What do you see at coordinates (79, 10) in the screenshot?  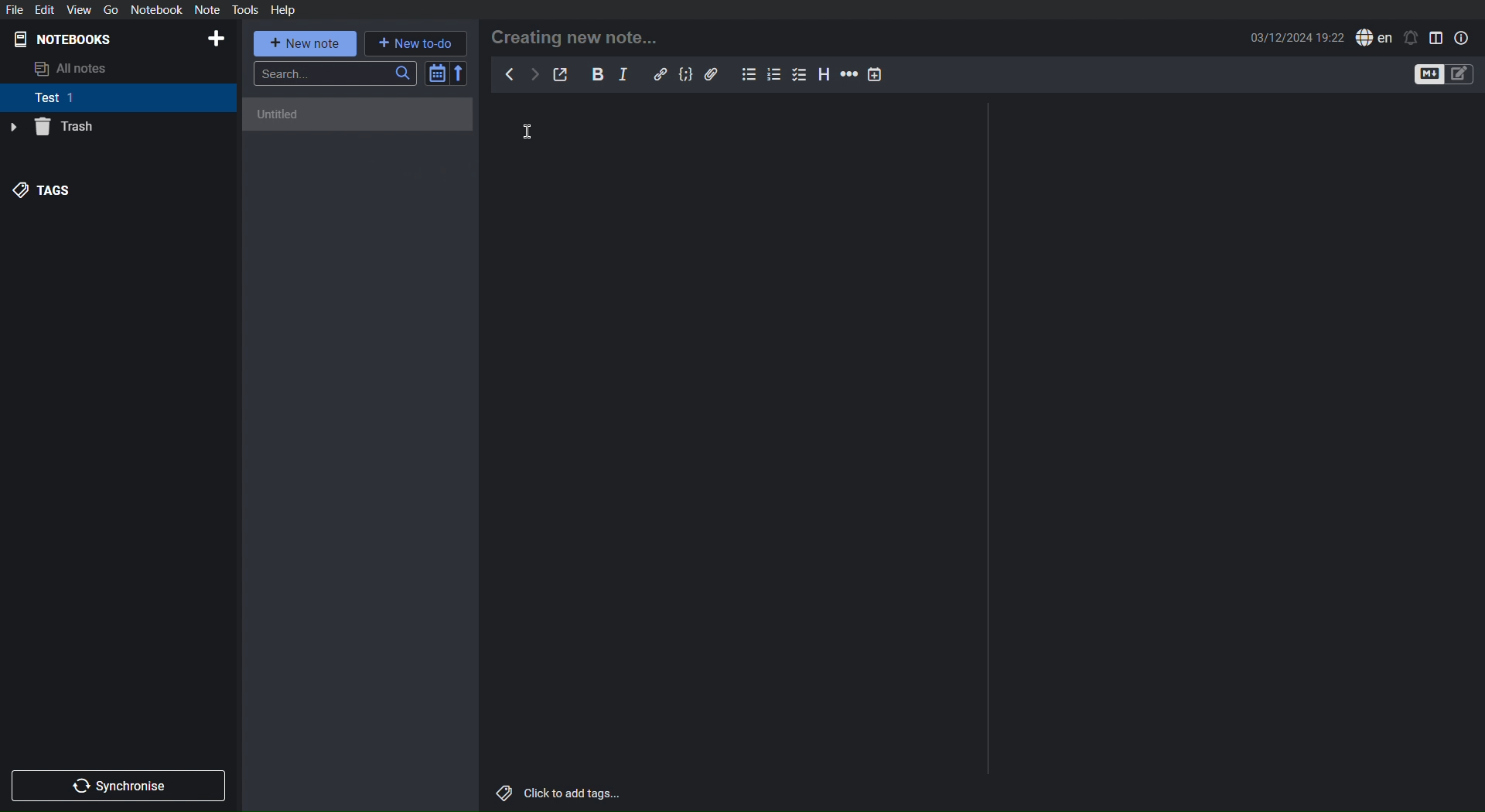 I see `View` at bounding box center [79, 10].